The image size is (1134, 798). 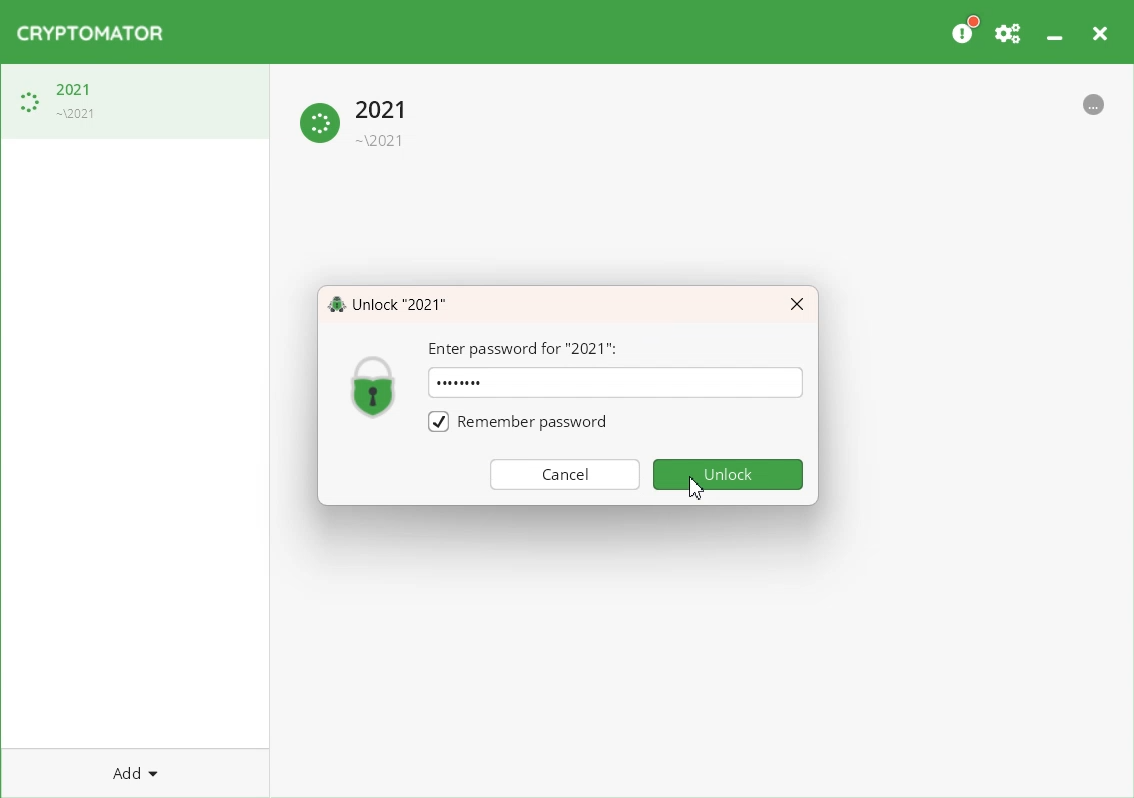 I want to click on Typing window, so click(x=654, y=386).